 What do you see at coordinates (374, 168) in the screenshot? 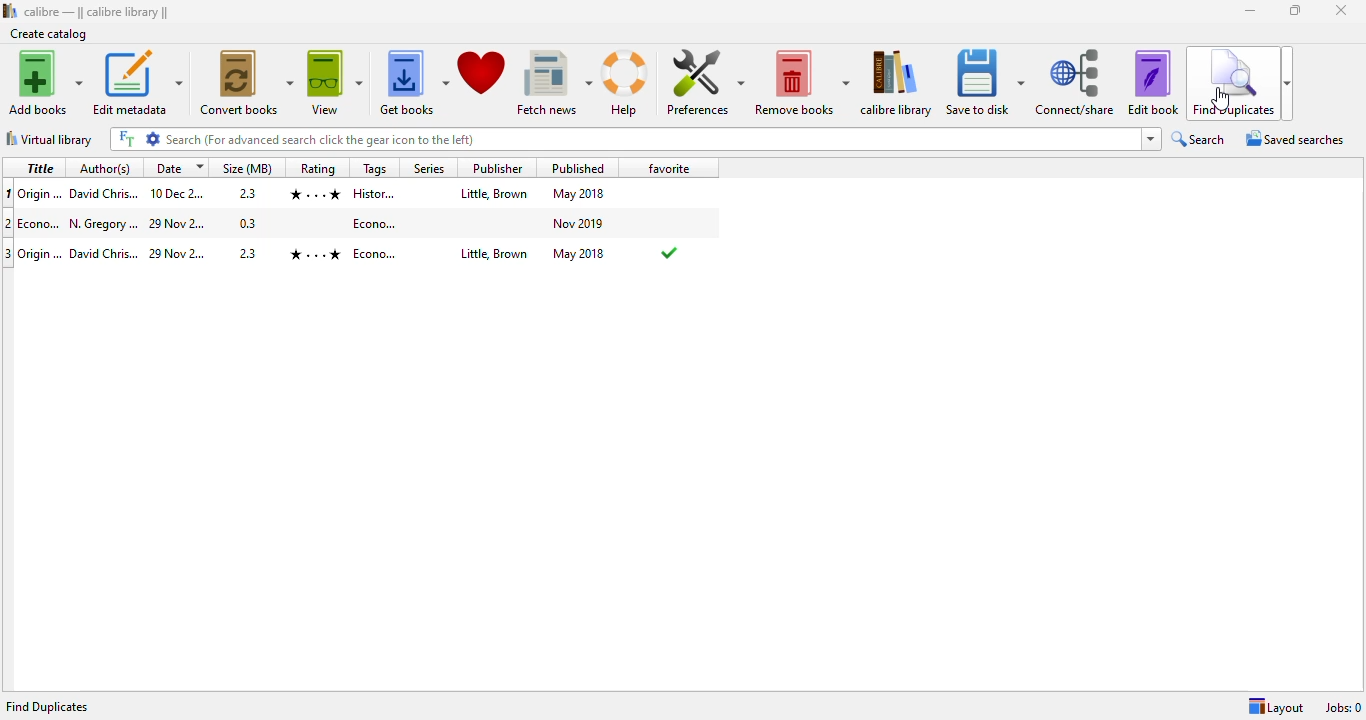
I see `tags` at bounding box center [374, 168].